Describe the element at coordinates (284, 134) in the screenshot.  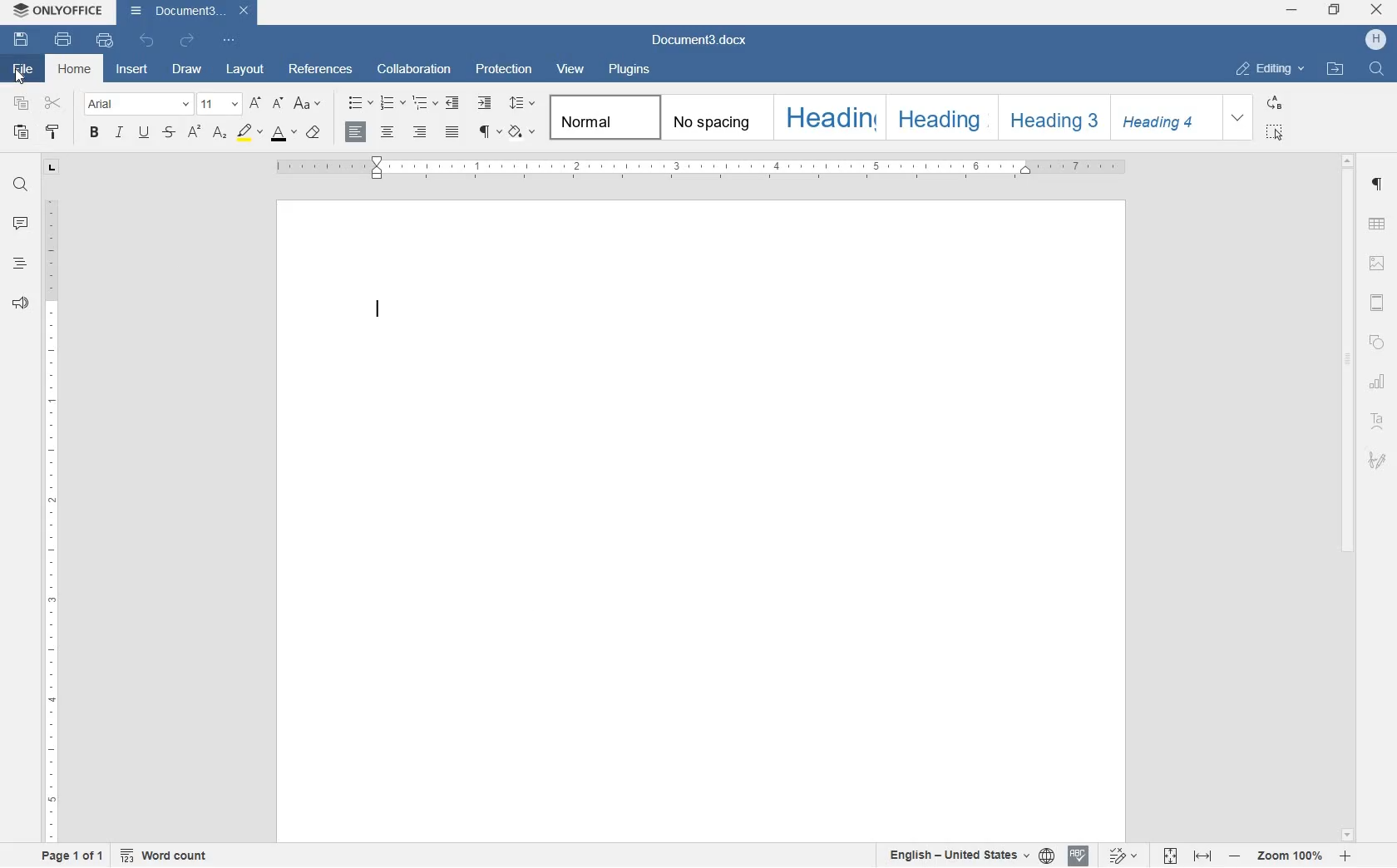
I see `font color` at that location.